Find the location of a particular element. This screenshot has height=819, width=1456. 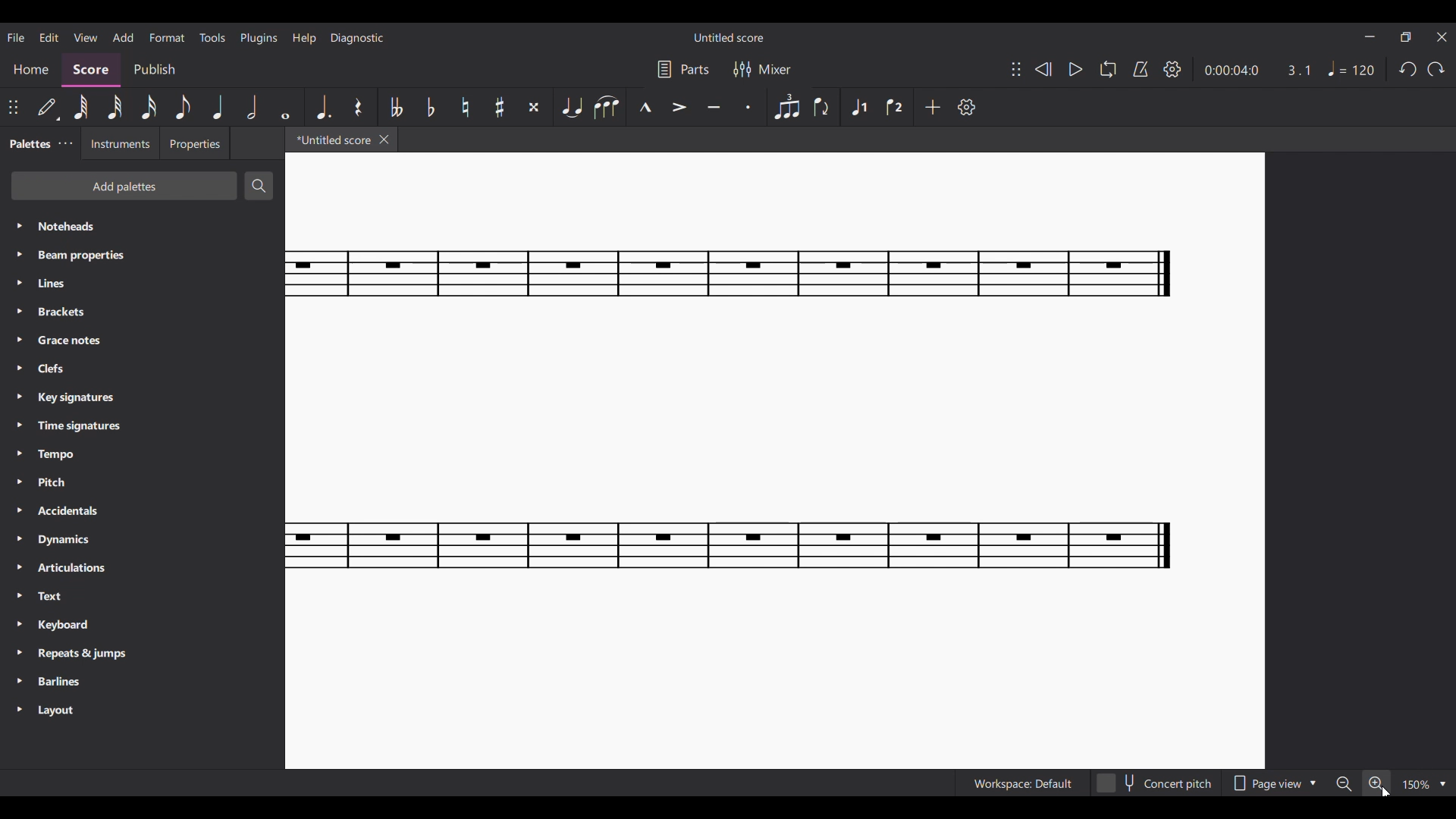

150% is located at coordinates (1415, 784).